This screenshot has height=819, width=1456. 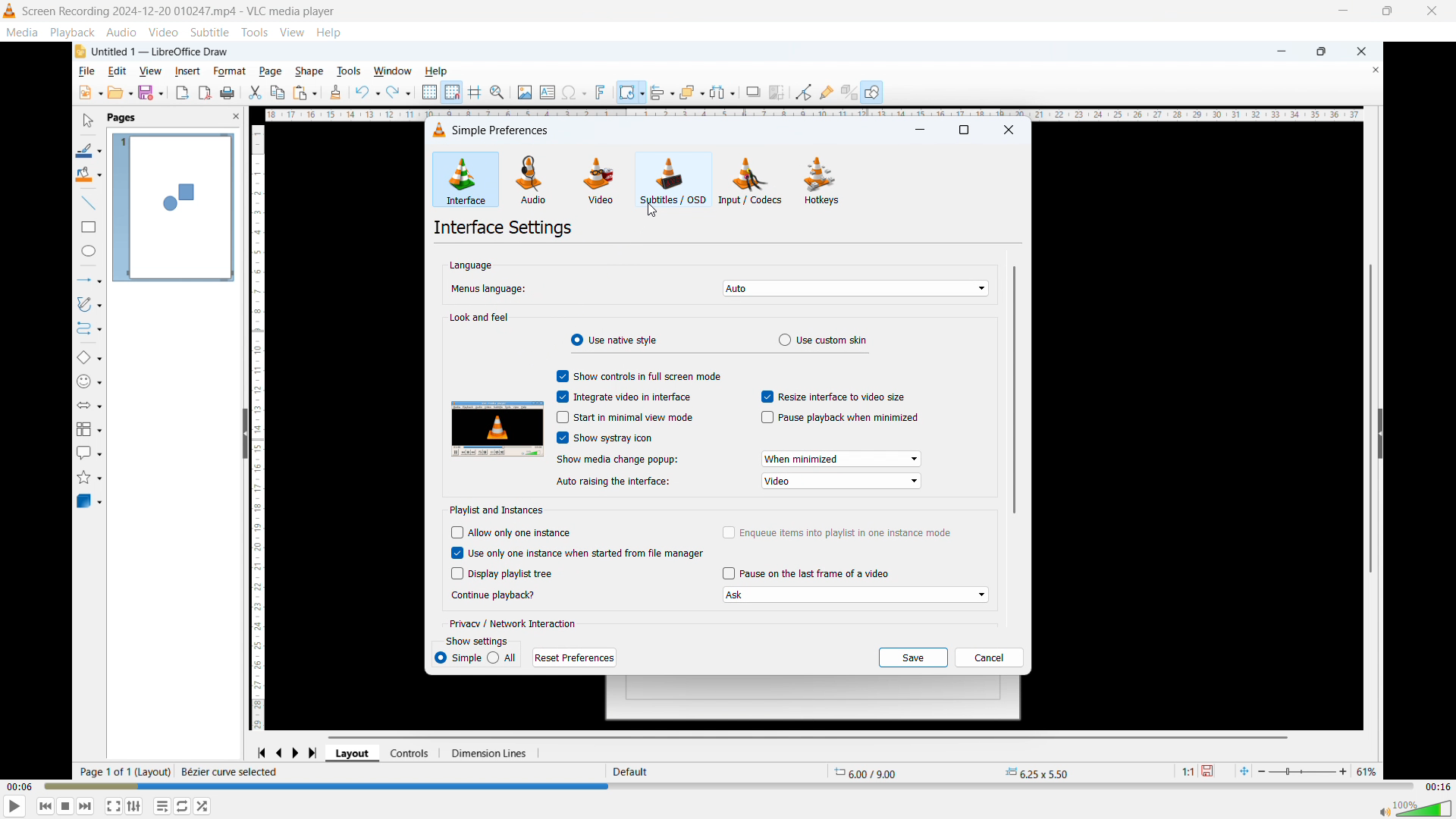 I want to click on Stop playing , so click(x=66, y=806).